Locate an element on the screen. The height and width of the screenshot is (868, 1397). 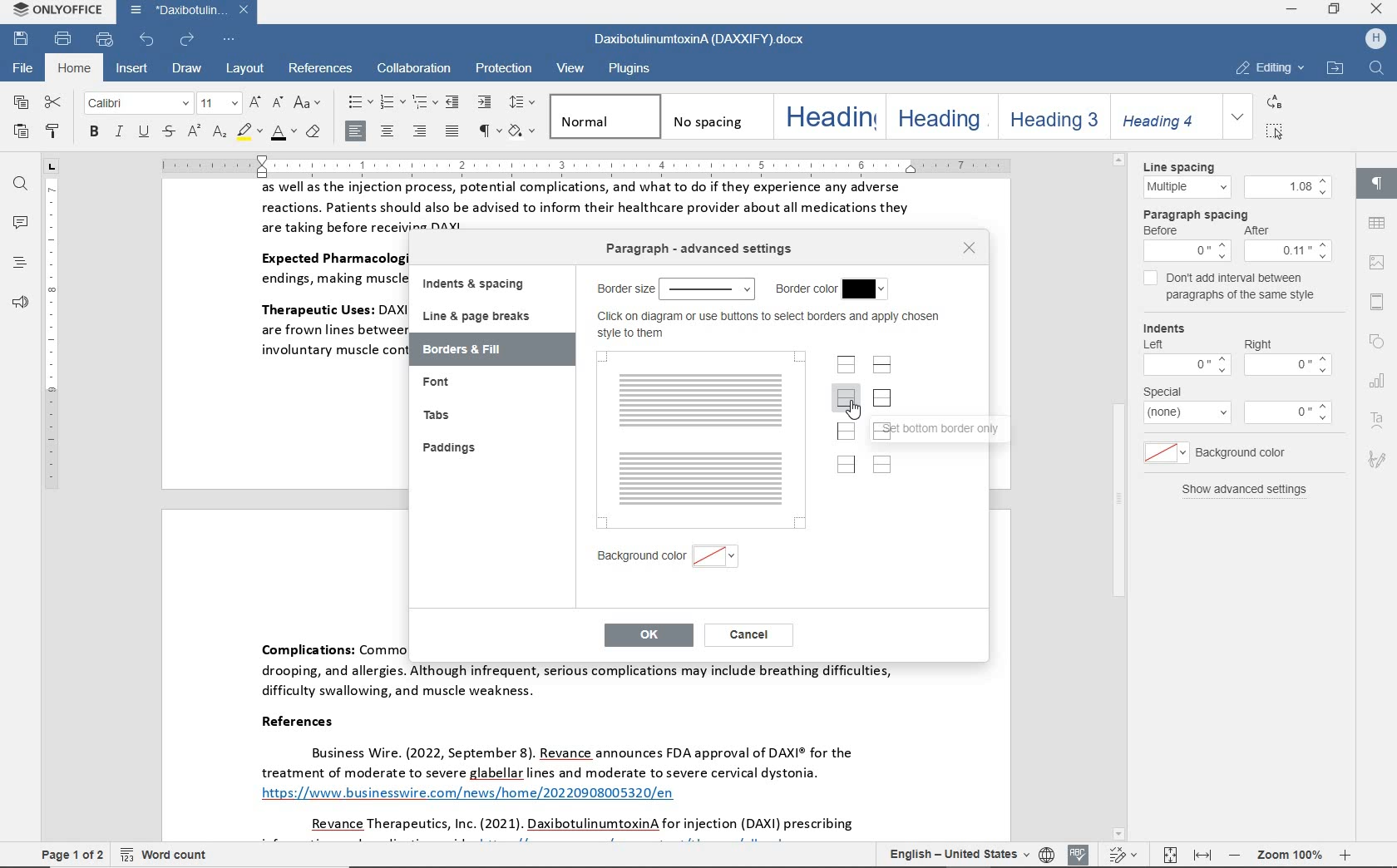
borders & fill is located at coordinates (471, 350).